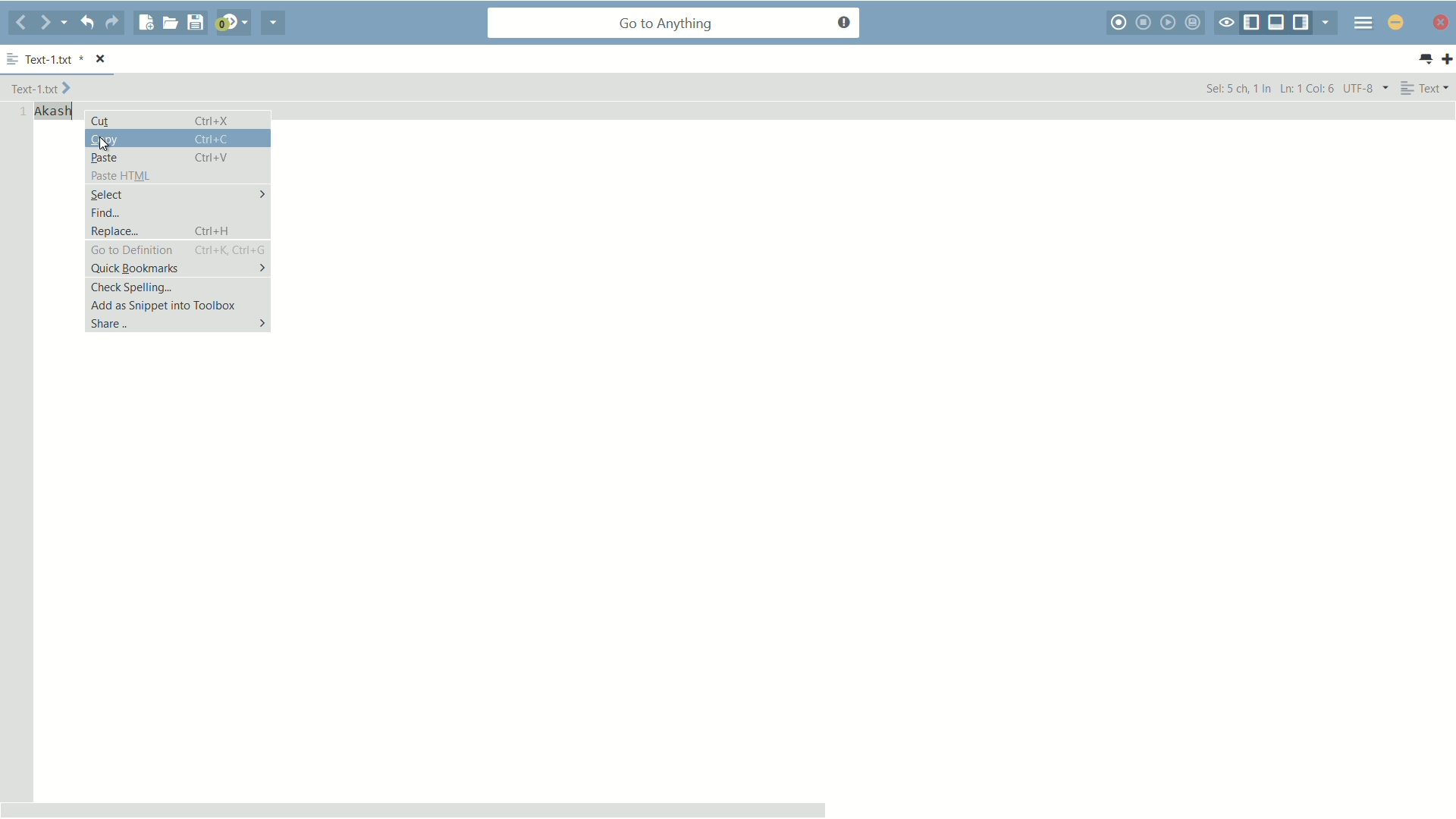 The image size is (1456, 819). I want to click on paste, so click(177, 156).